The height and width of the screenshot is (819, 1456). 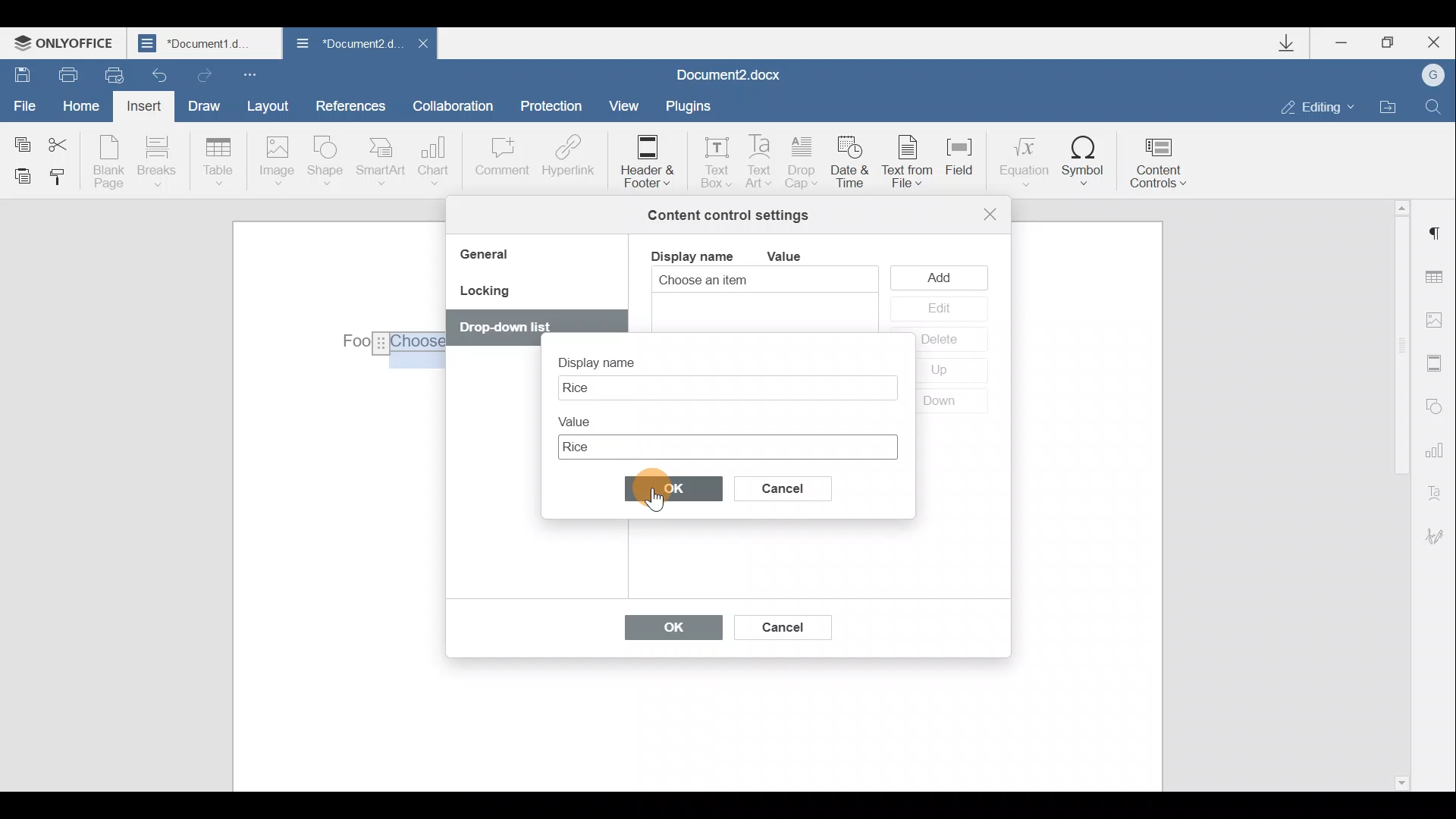 What do you see at coordinates (565, 158) in the screenshot?
I see `Hyperlink` at bounding box center [565, 158].